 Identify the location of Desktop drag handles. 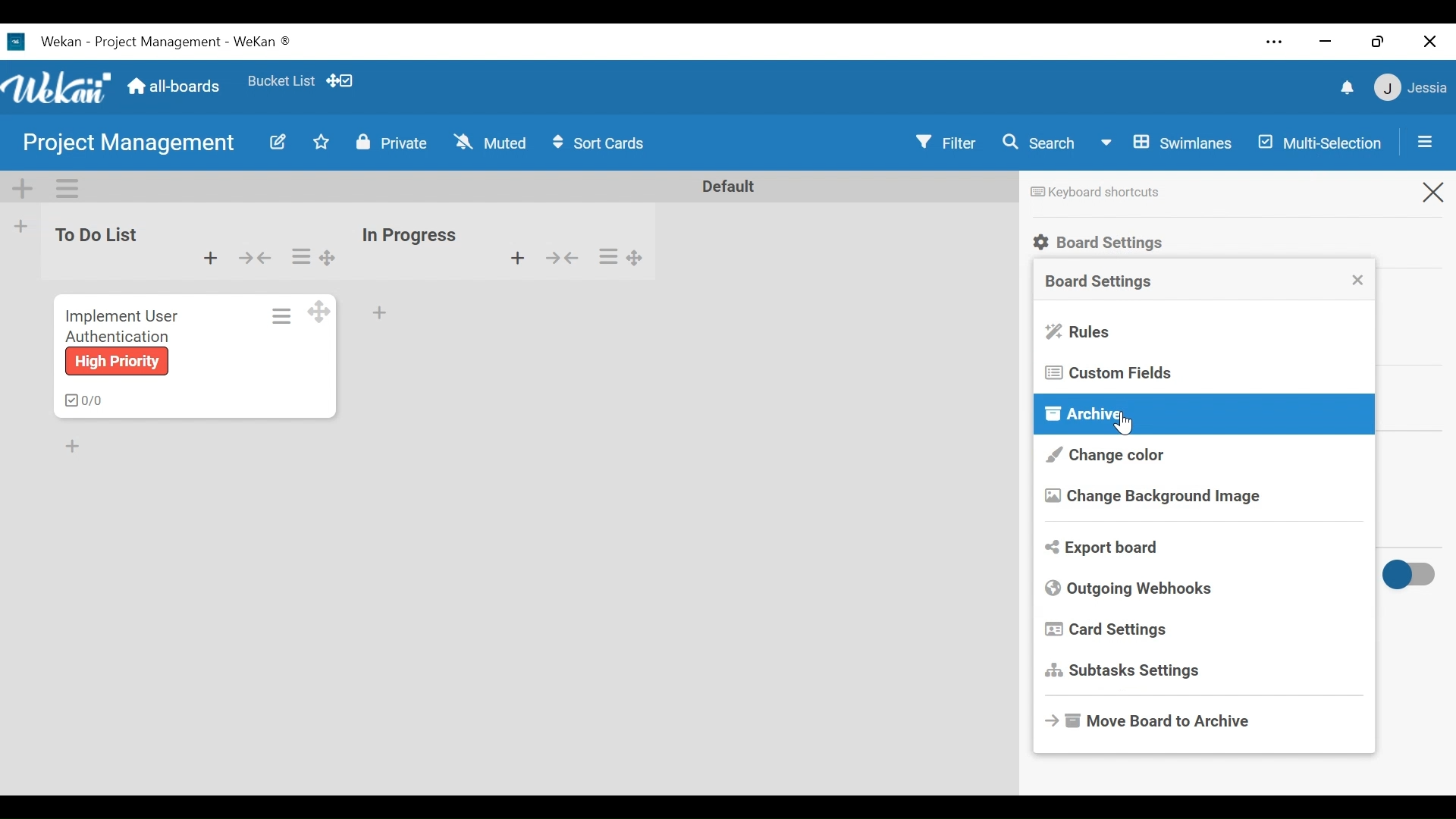
(635, 259).